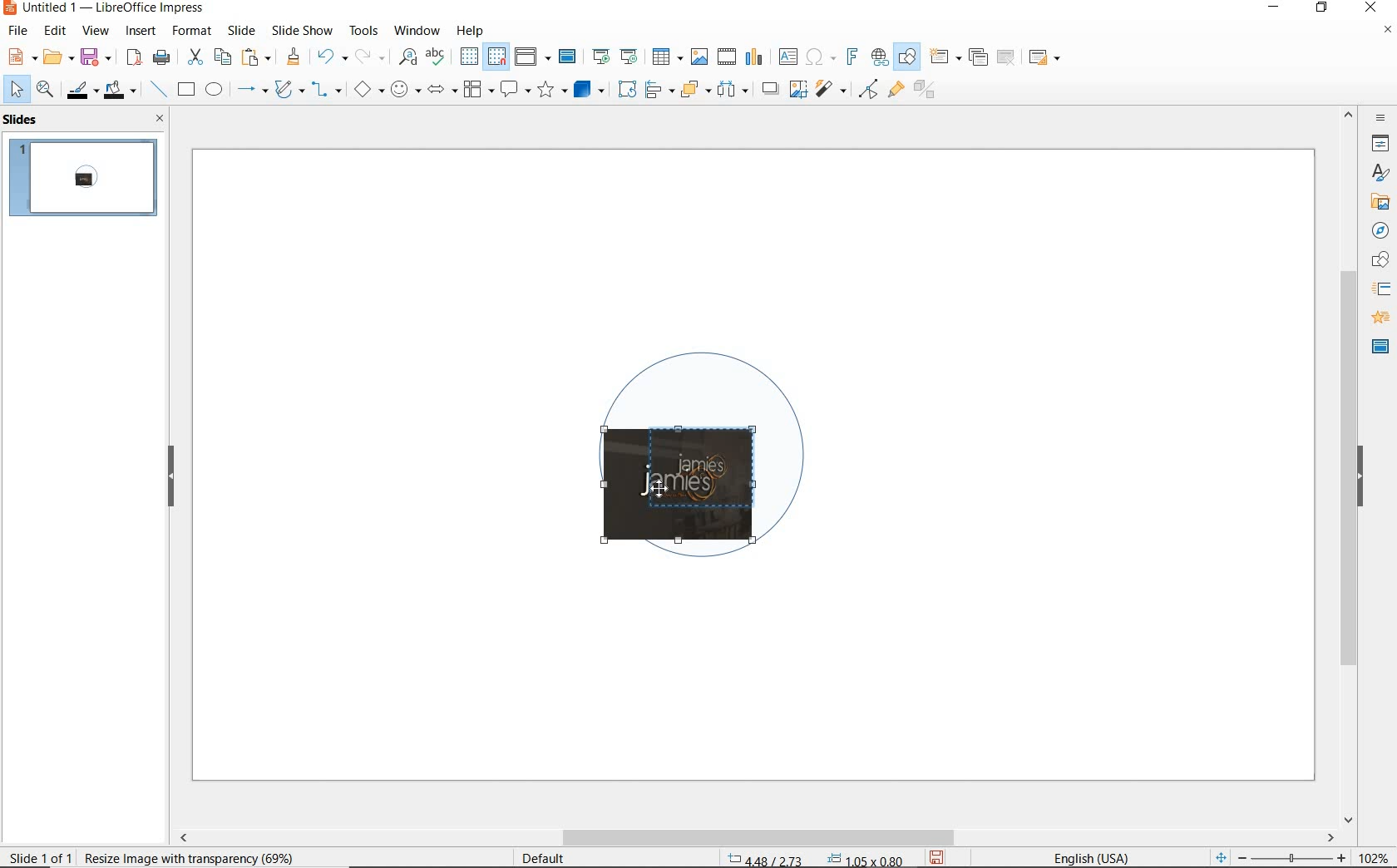  I want to click on close, so click(1370, 8).